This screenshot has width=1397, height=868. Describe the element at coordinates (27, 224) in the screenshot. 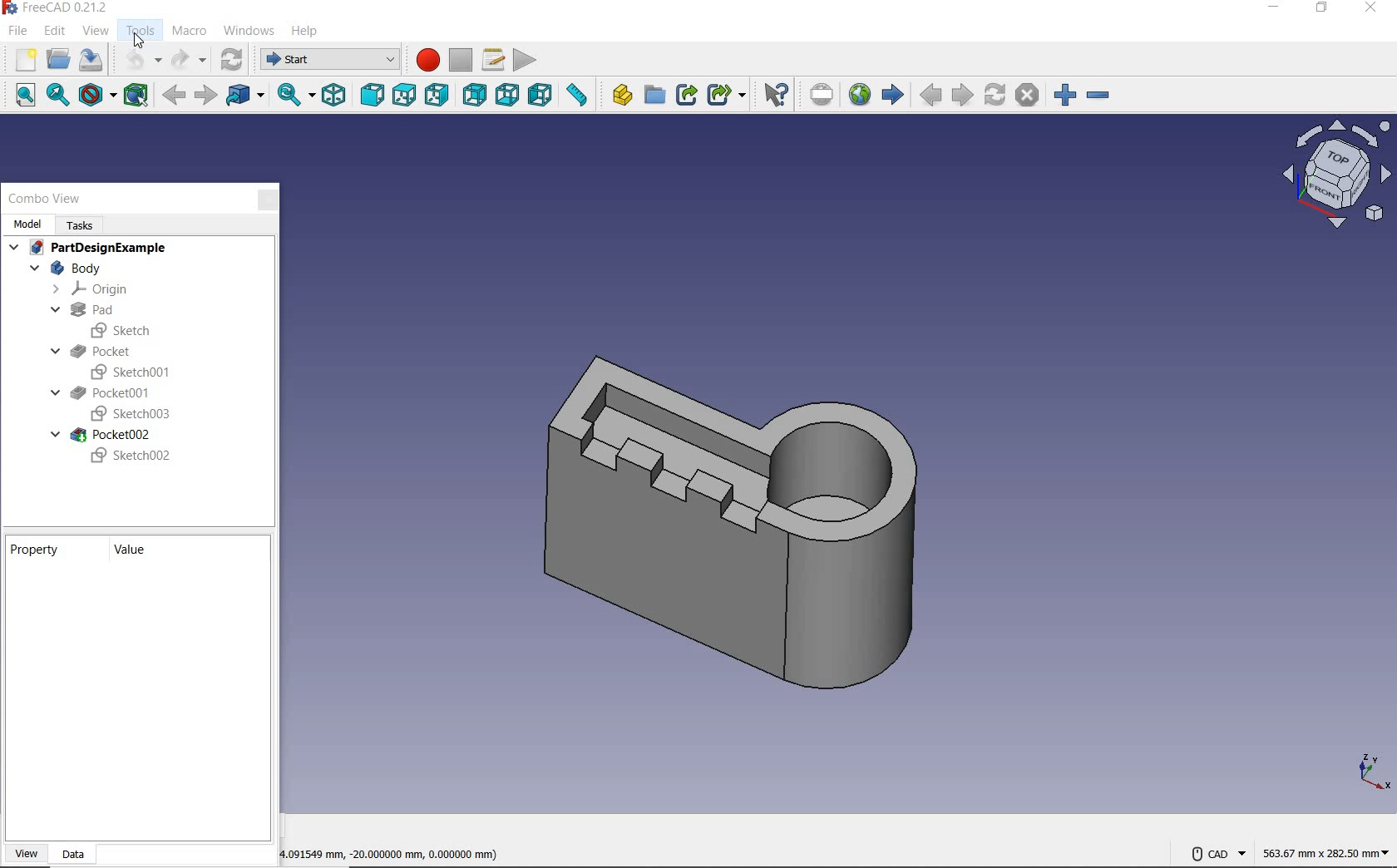

I see `Model` at that location.